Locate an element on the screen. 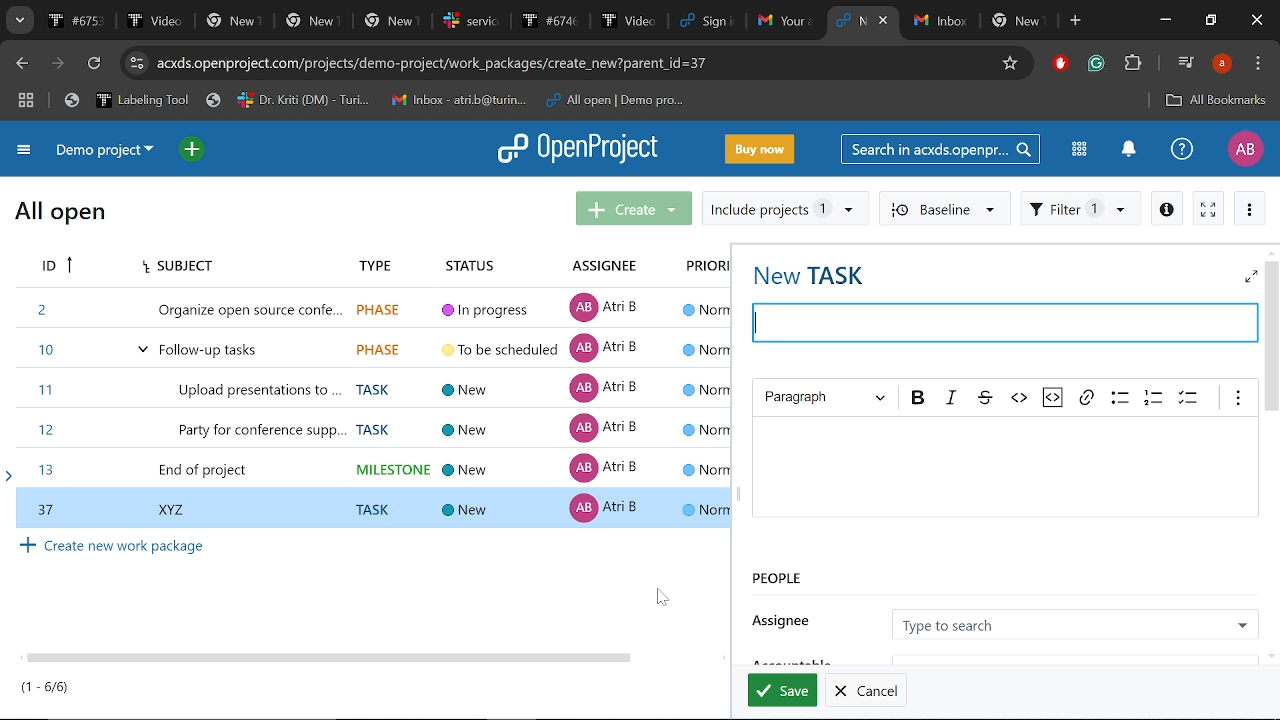  Search tabs is located at coordinates (18, 20).